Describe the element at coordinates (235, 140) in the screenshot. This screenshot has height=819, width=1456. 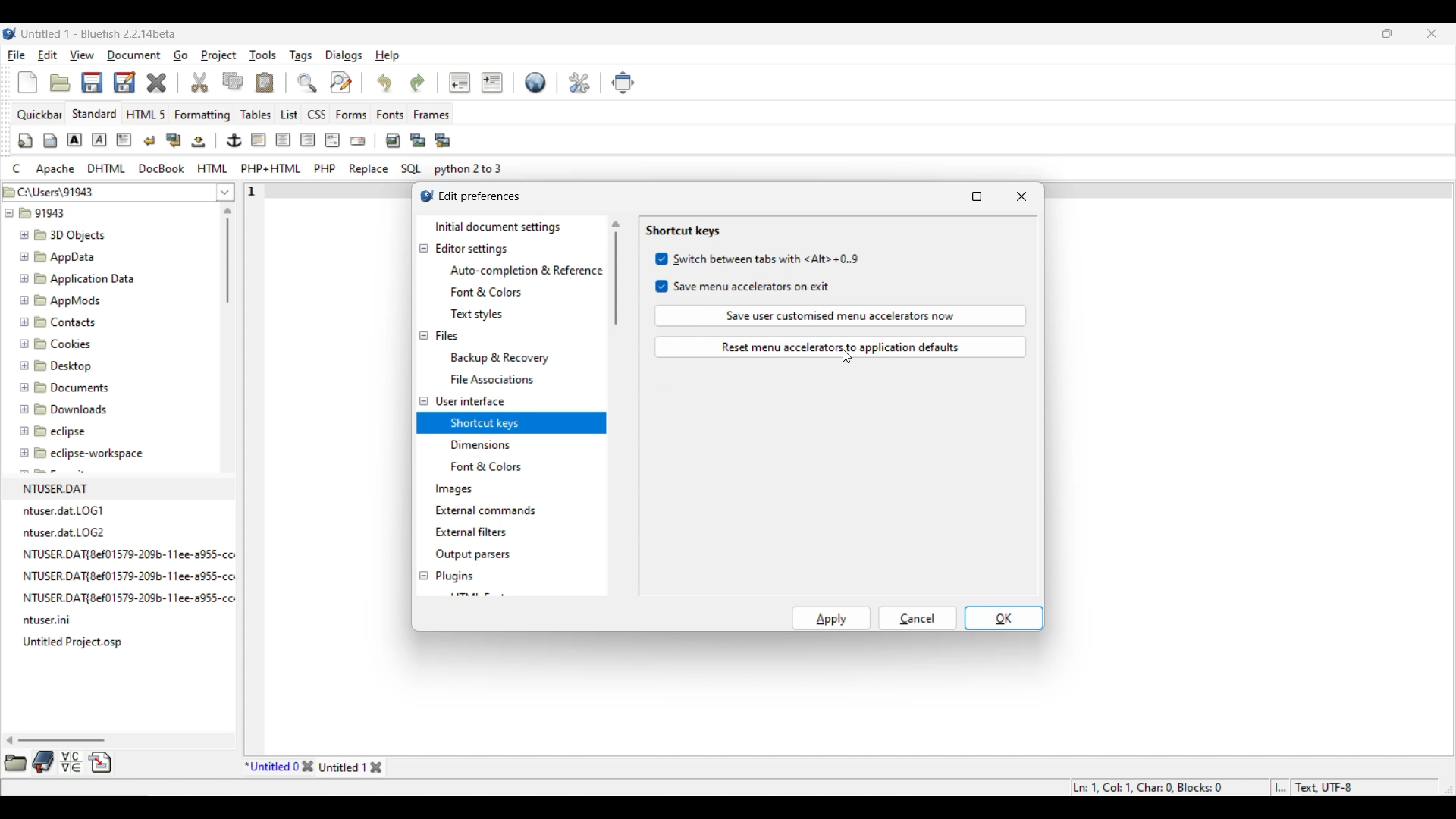
I see `Image and text edit tools` at that location.